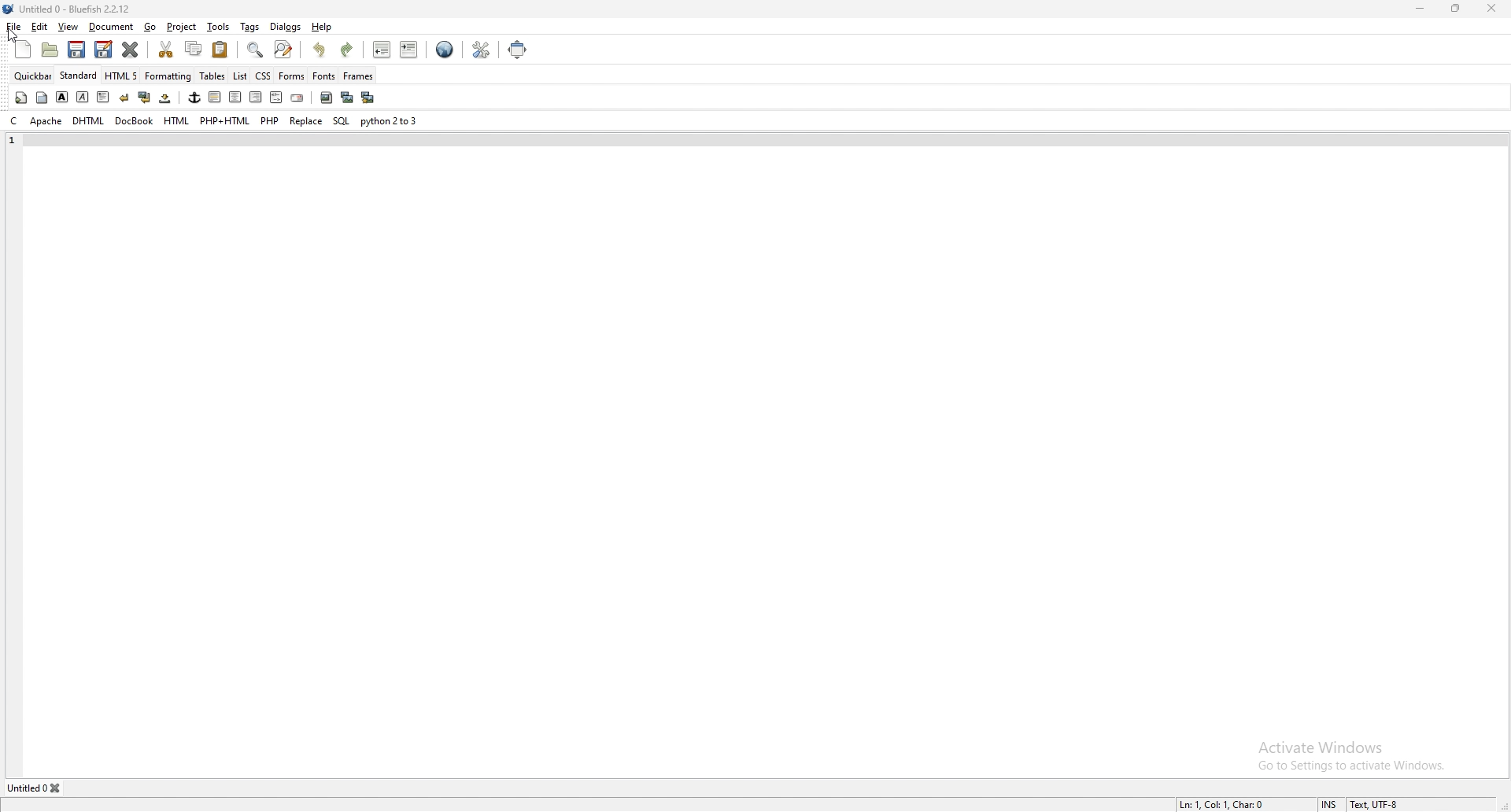 The height and width of the screenshot is (812, 1511). What do you see at coordinates (167, 49) in the screenshot?
I see `cut` at bounding box center [167, 49].